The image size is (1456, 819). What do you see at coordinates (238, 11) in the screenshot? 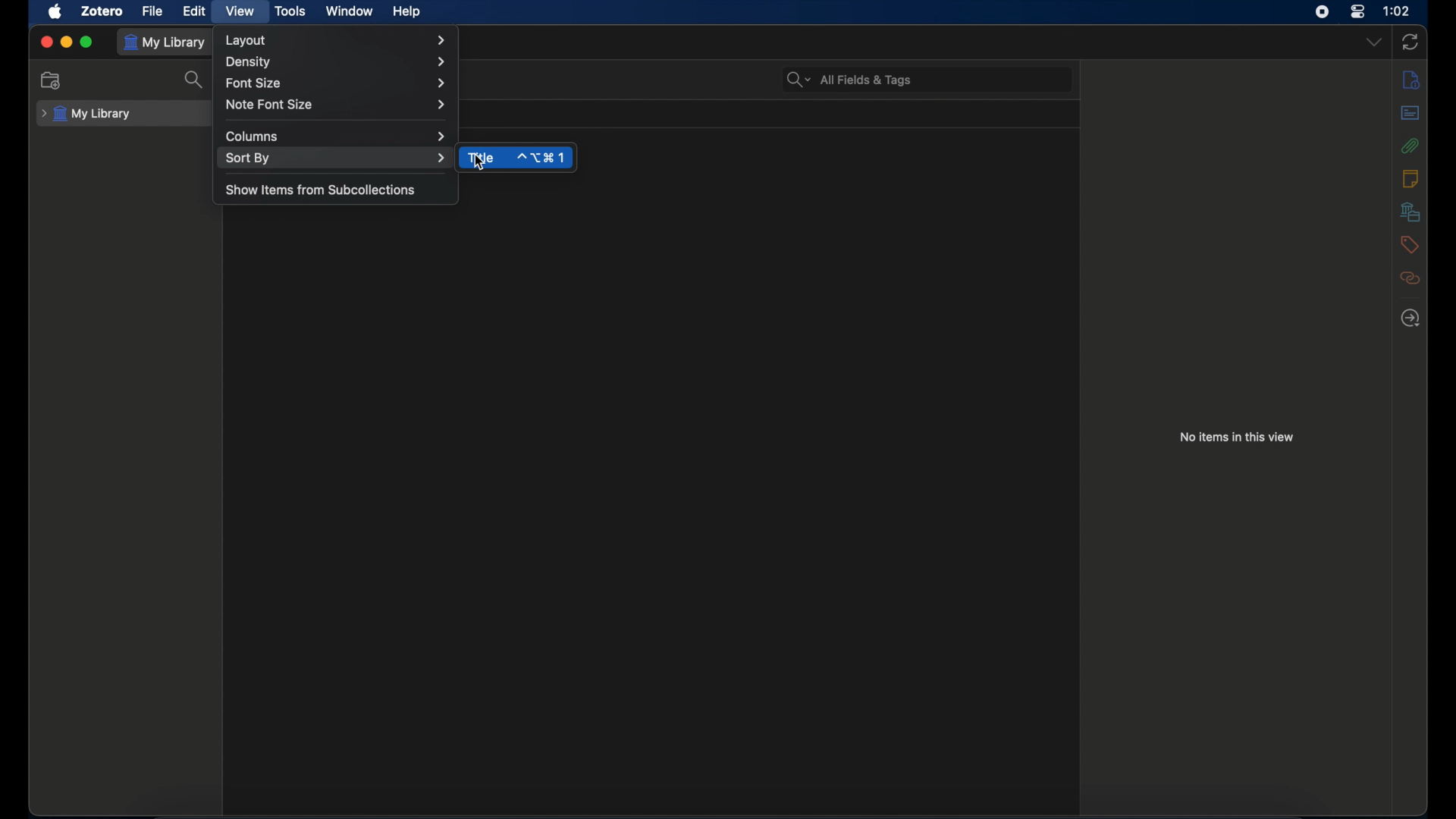
I see `view` at bounding box center [238, 11].